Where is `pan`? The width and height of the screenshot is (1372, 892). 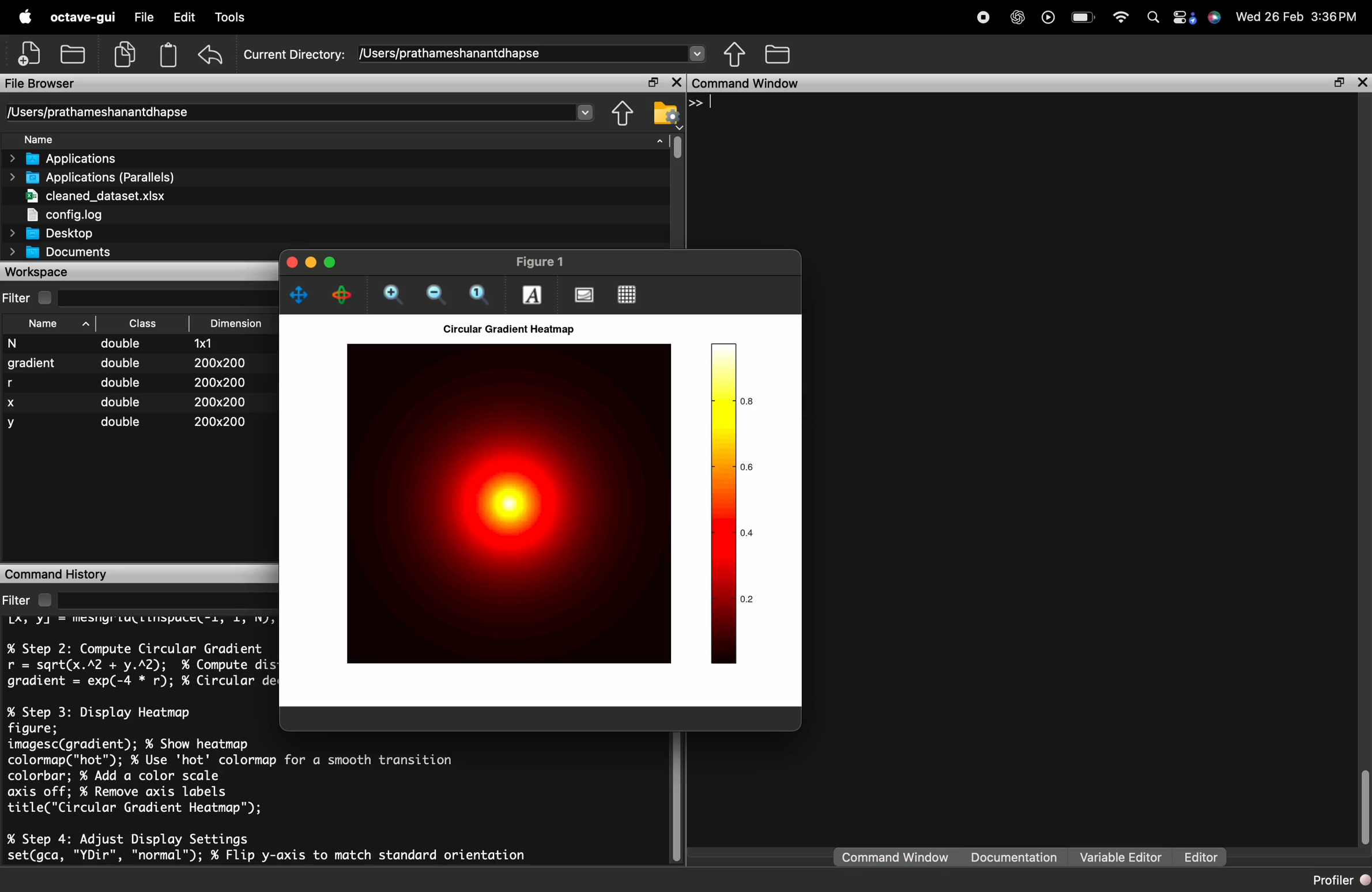
pan is located at coordinates (300, 296).